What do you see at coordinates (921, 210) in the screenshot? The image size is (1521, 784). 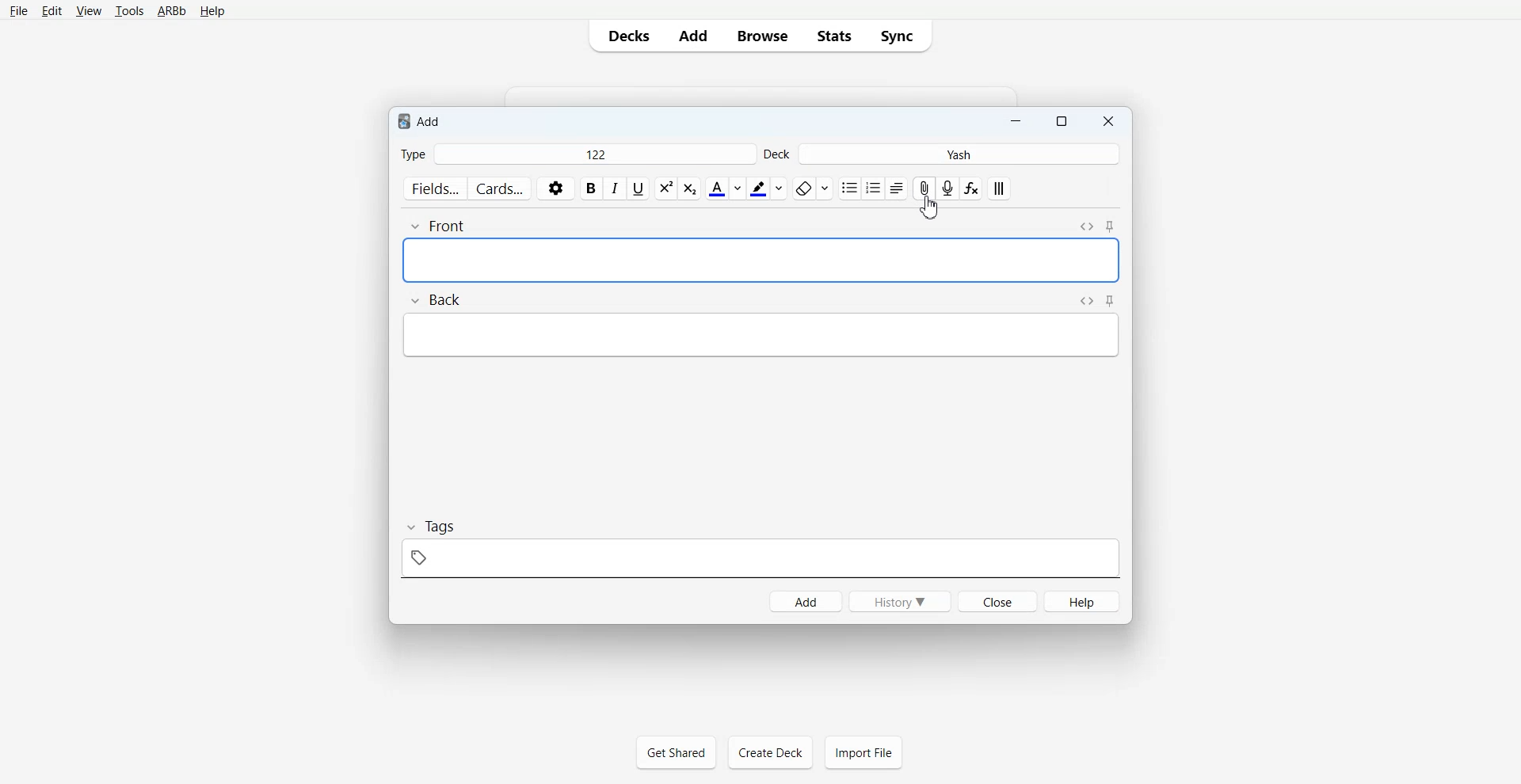 I see `cursor` at bounding box center [921, 210].